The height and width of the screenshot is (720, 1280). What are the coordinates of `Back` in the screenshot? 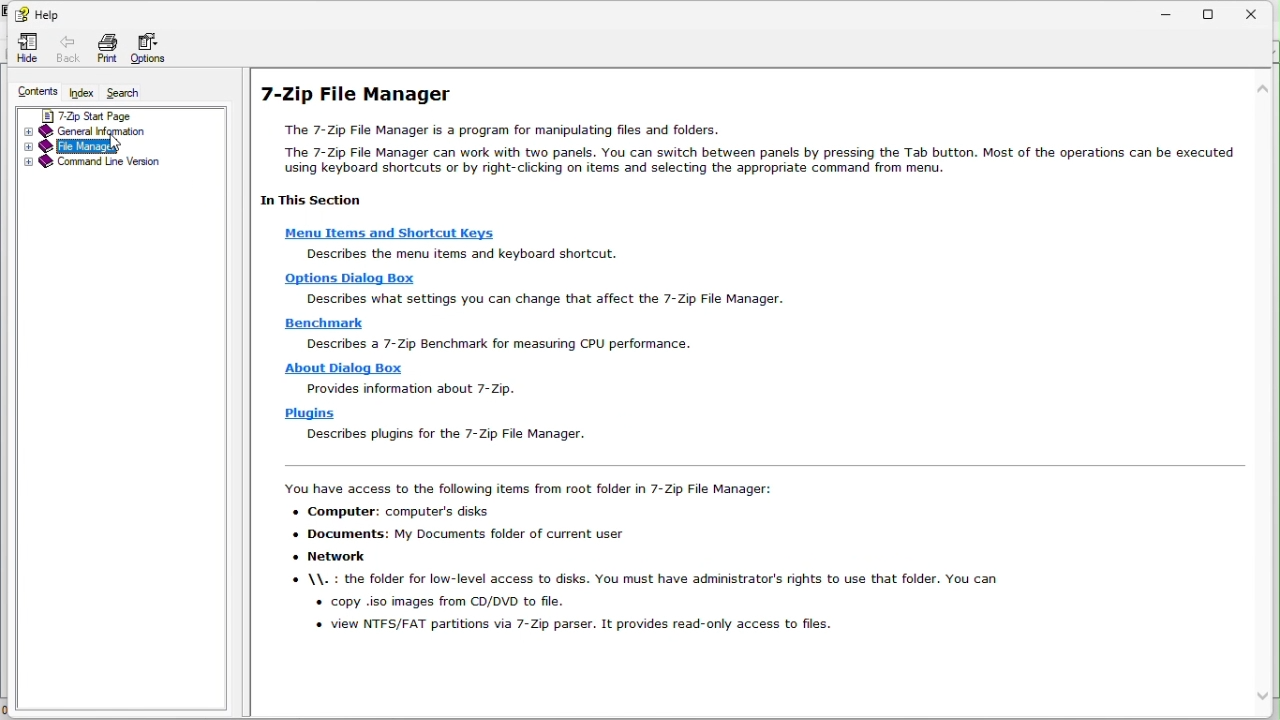 It's located at (64, 50).